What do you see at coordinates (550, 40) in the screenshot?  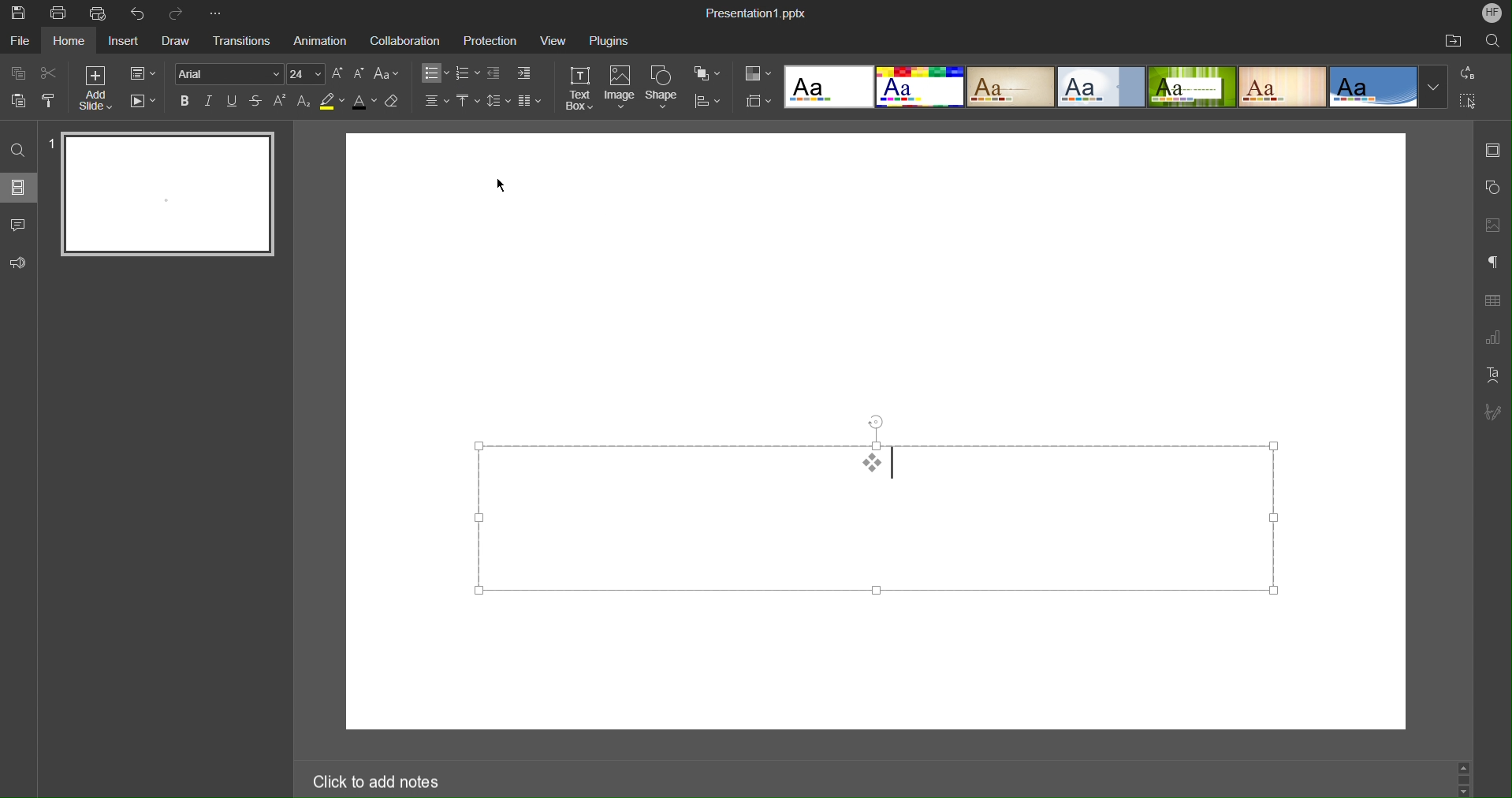 I see `View` at bounding box center [550, 40].